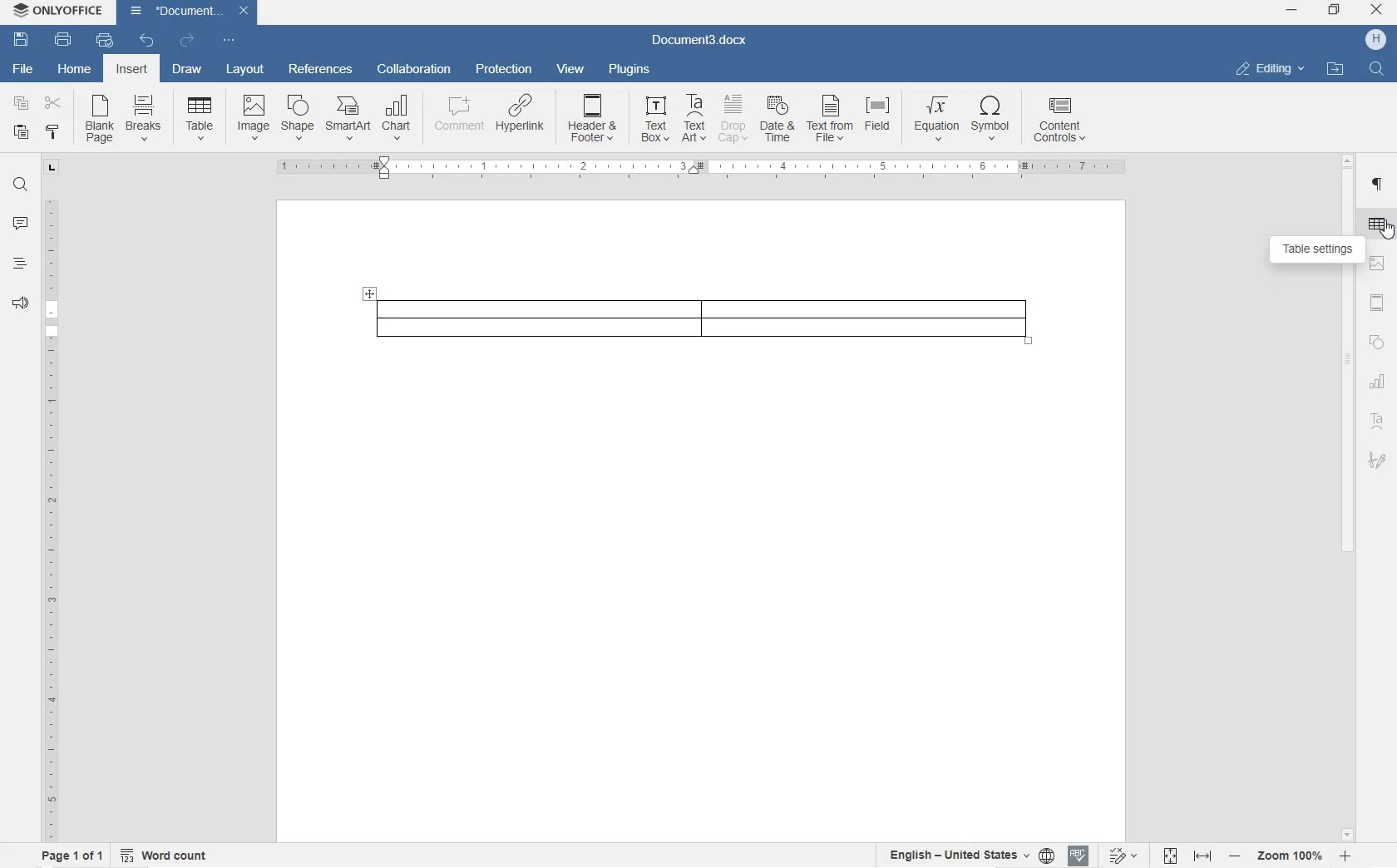 The image size is (1397, 868). What do you see at coordinates (347, 120) in the screenshot?
I see `SmartArt` at bounding box center [347, 120].